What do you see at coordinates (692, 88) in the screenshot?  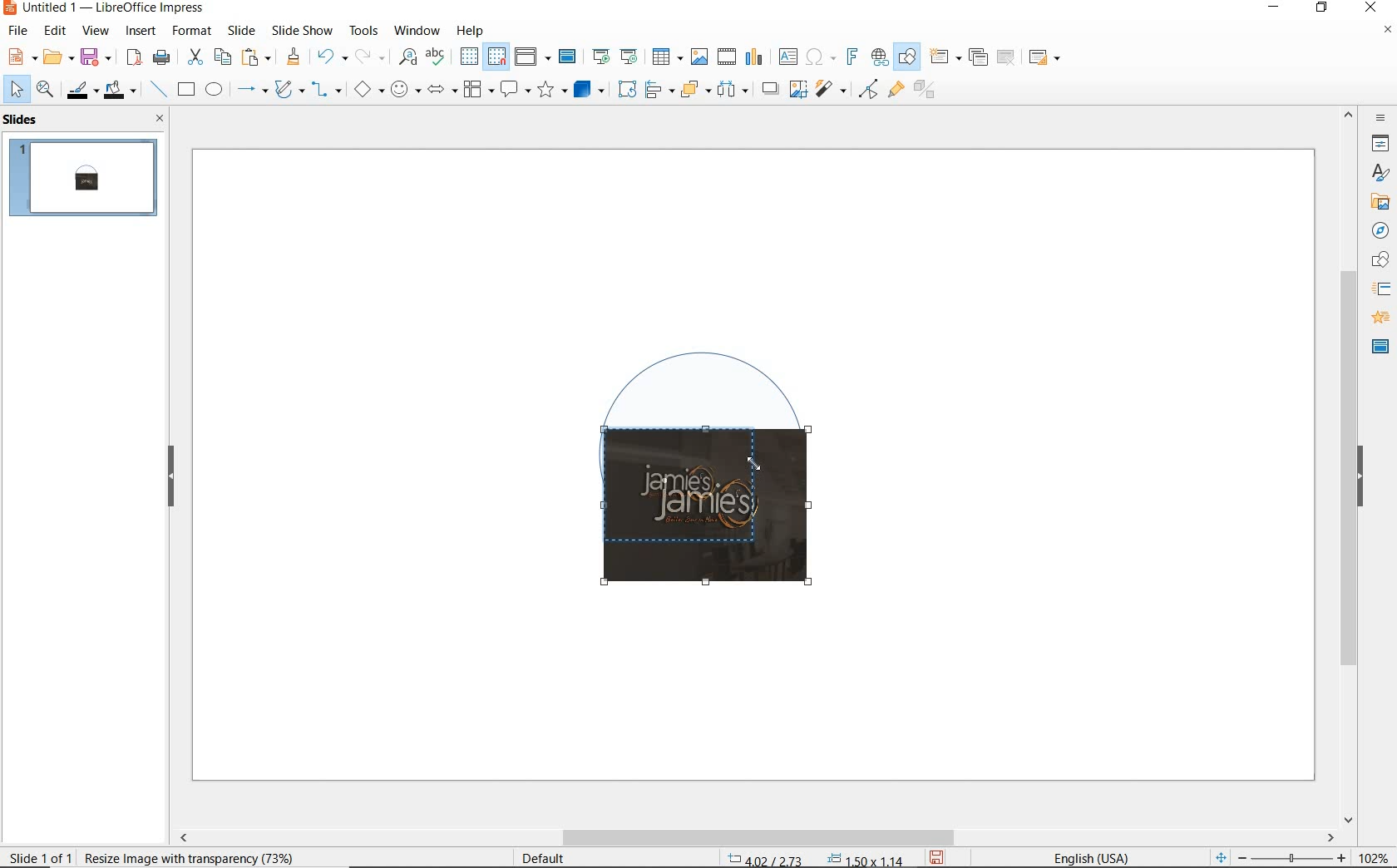 I see `arrange` at bounding box center [692, 88].